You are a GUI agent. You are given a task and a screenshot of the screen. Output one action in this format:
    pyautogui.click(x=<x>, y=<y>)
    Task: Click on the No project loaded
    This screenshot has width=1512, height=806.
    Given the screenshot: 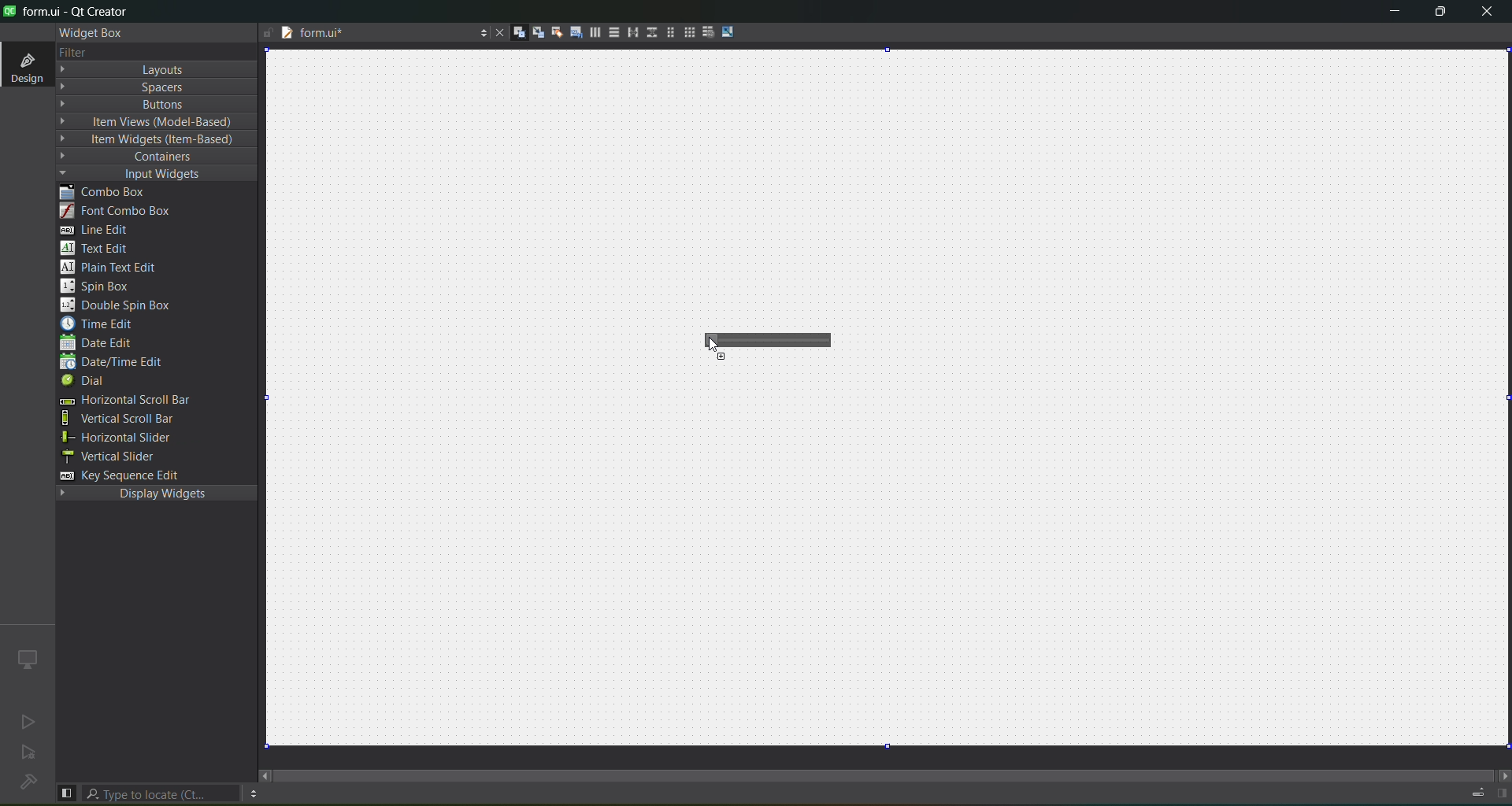 What is the action you would take?
    pyautogui.click(x=27, y=788)
    